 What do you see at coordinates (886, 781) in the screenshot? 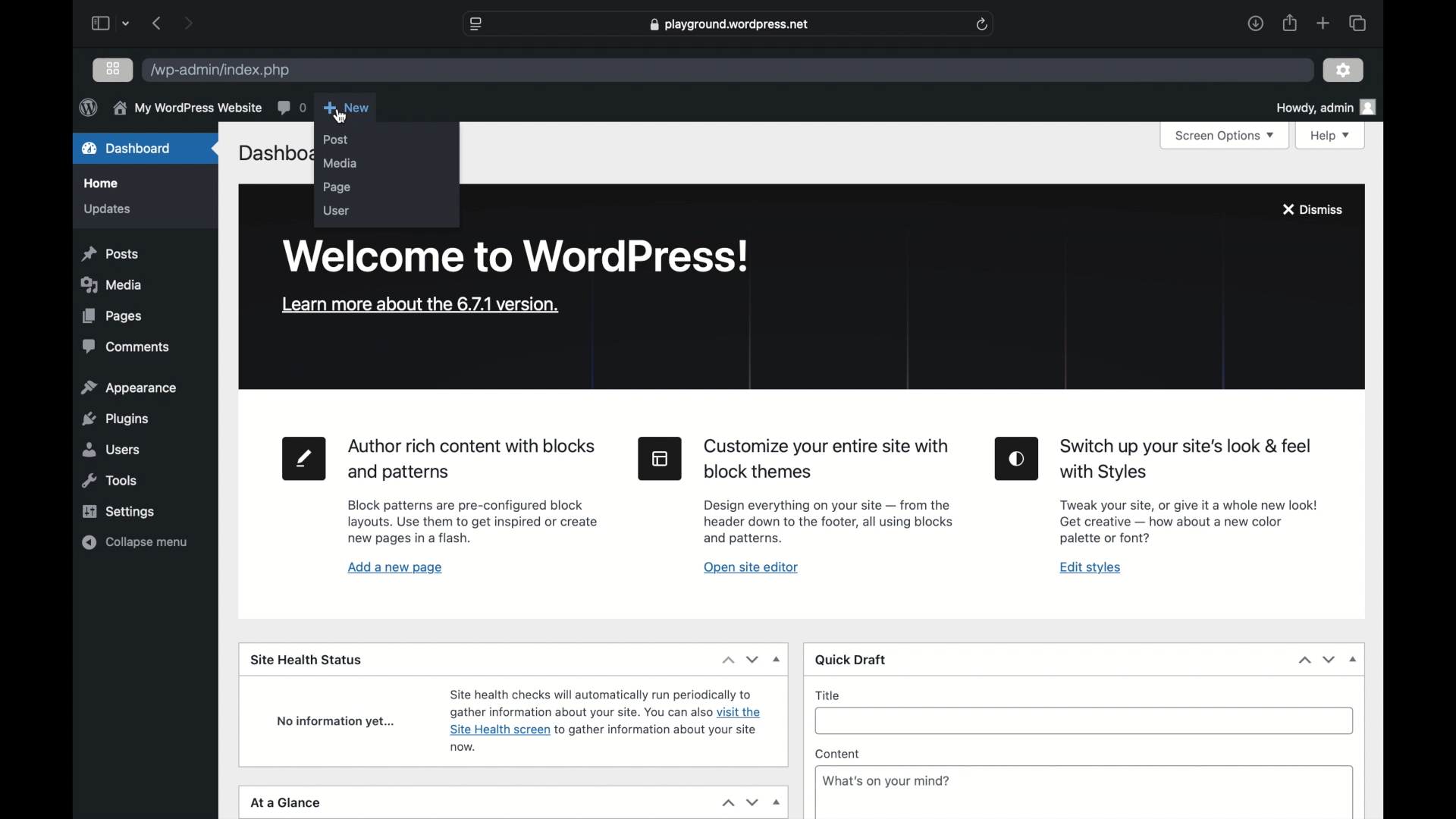
I see `info` at bounding box center [886, 781].